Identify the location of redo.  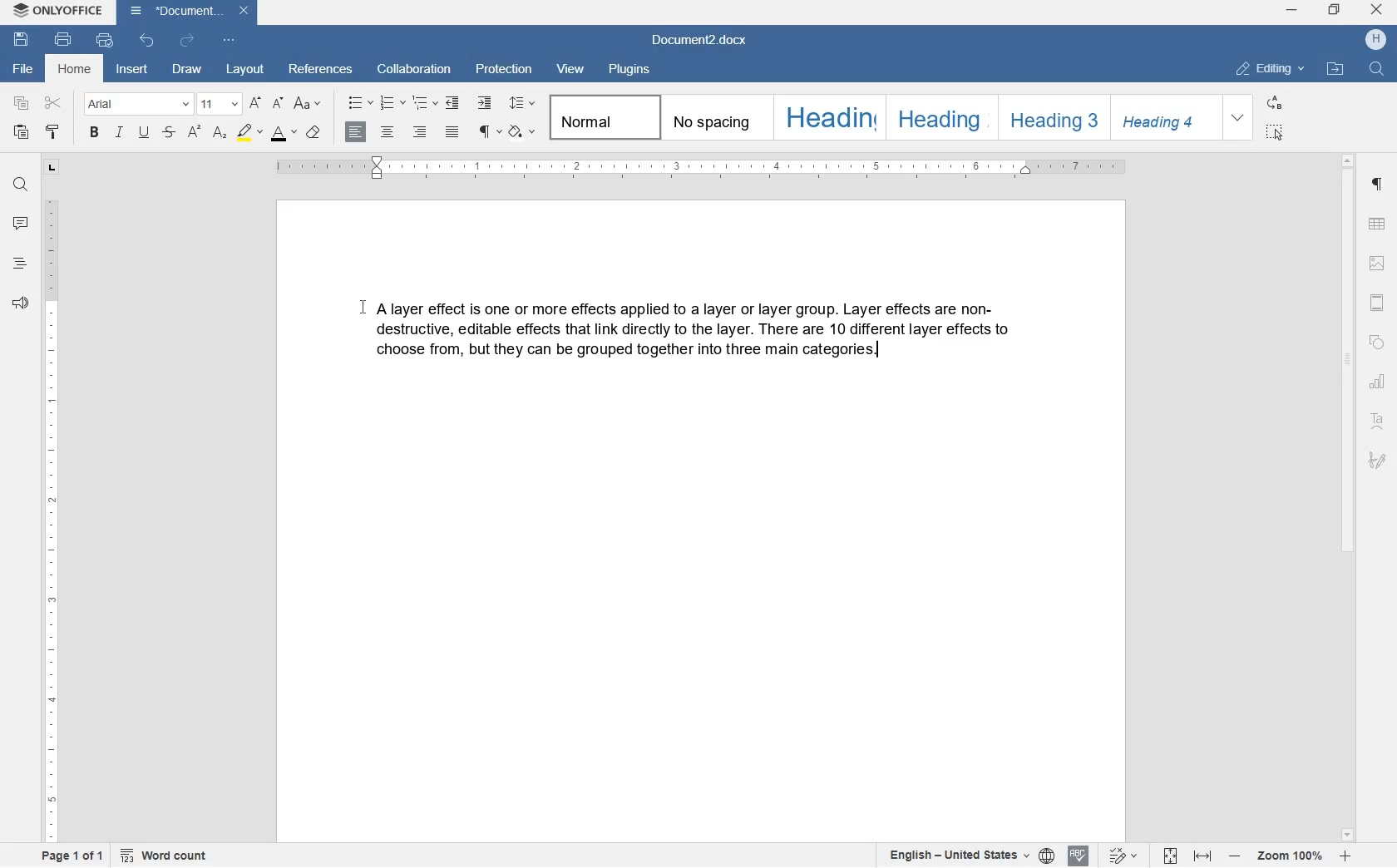
(184, 42).